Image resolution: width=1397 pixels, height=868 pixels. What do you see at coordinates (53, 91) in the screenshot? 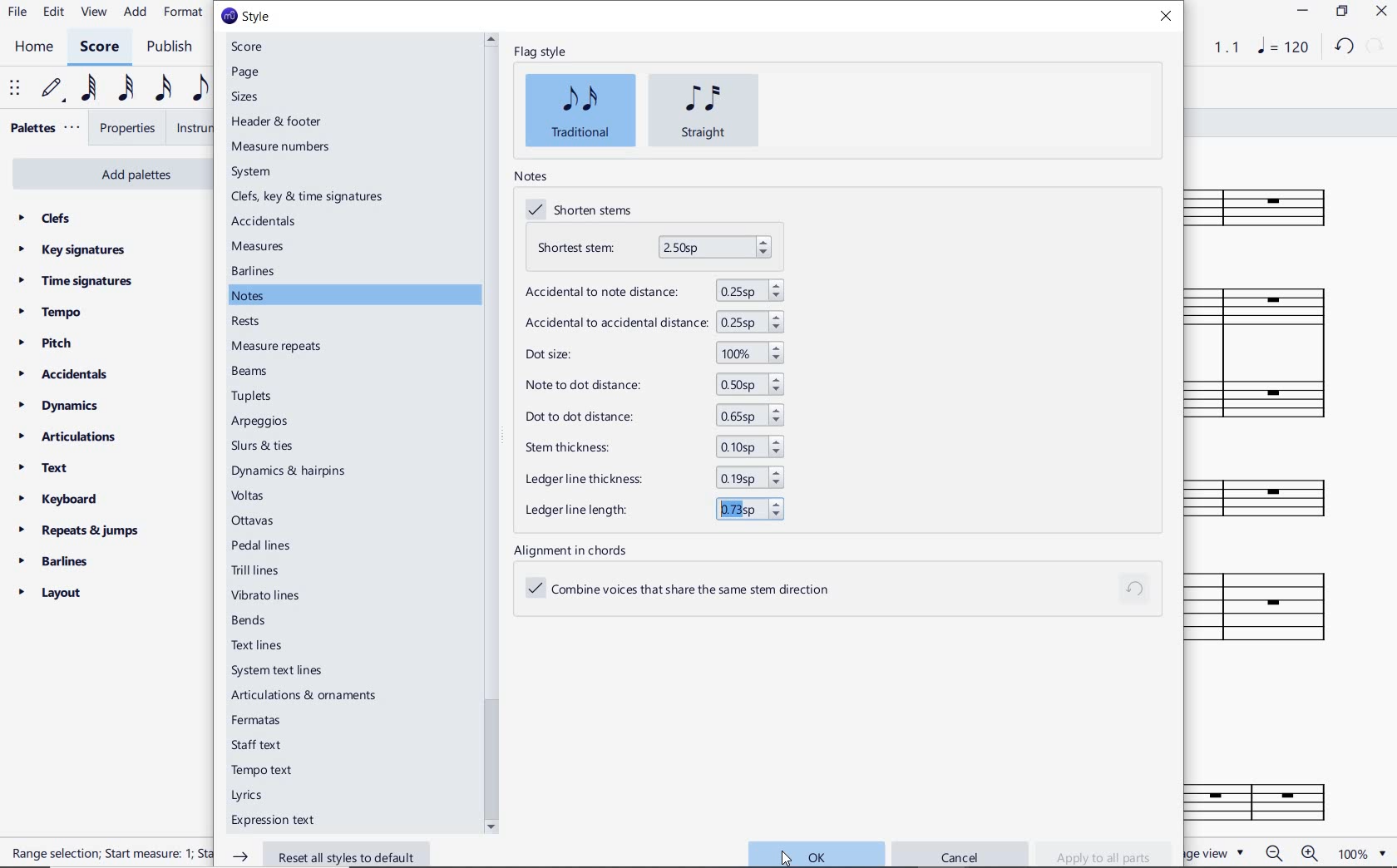
I see `default (step time)` at bounding box center [53, 91].